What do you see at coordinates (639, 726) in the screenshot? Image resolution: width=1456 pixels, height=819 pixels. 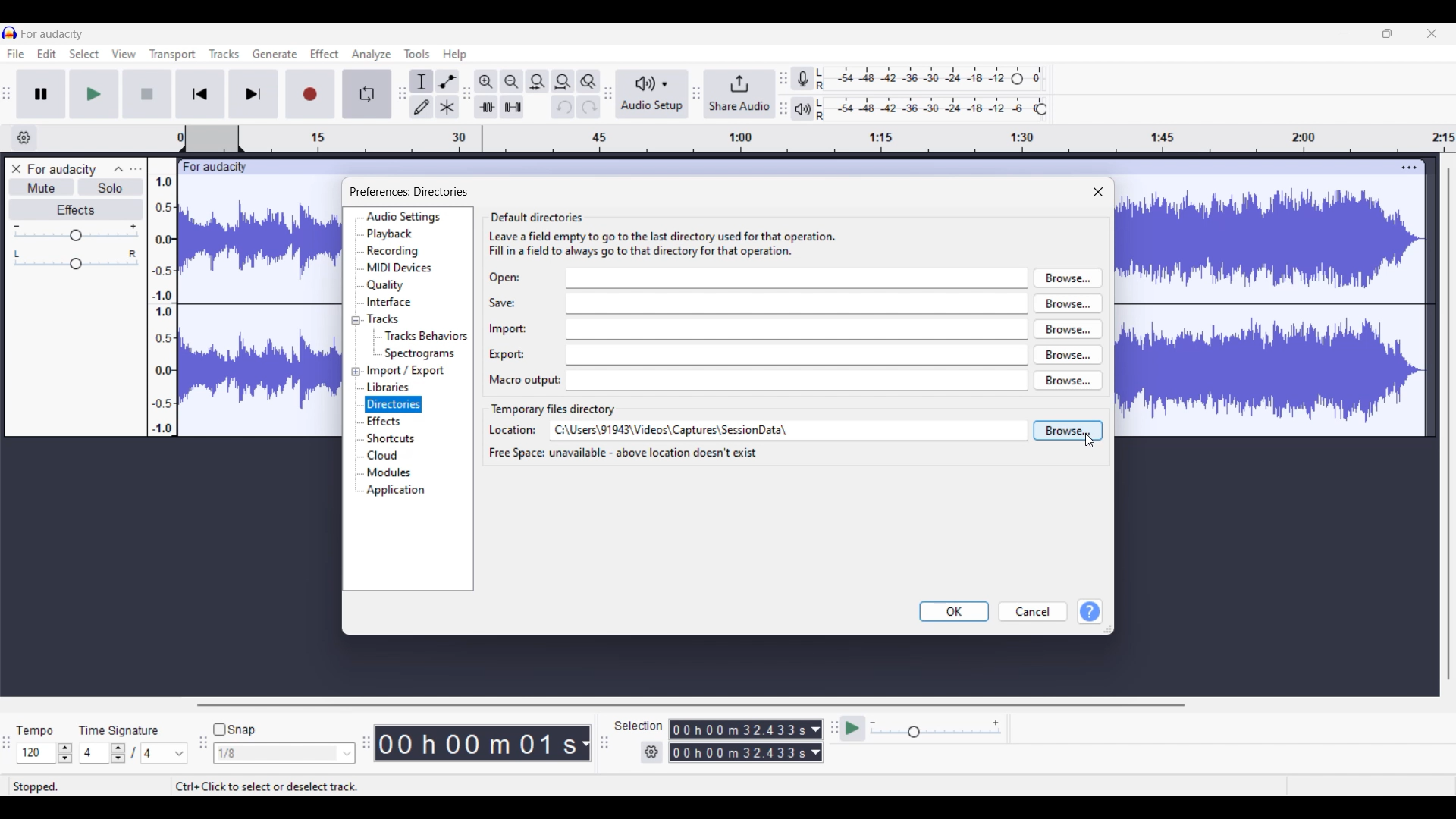 I see `Indicates selection duration` at bounding box center [639, 726].